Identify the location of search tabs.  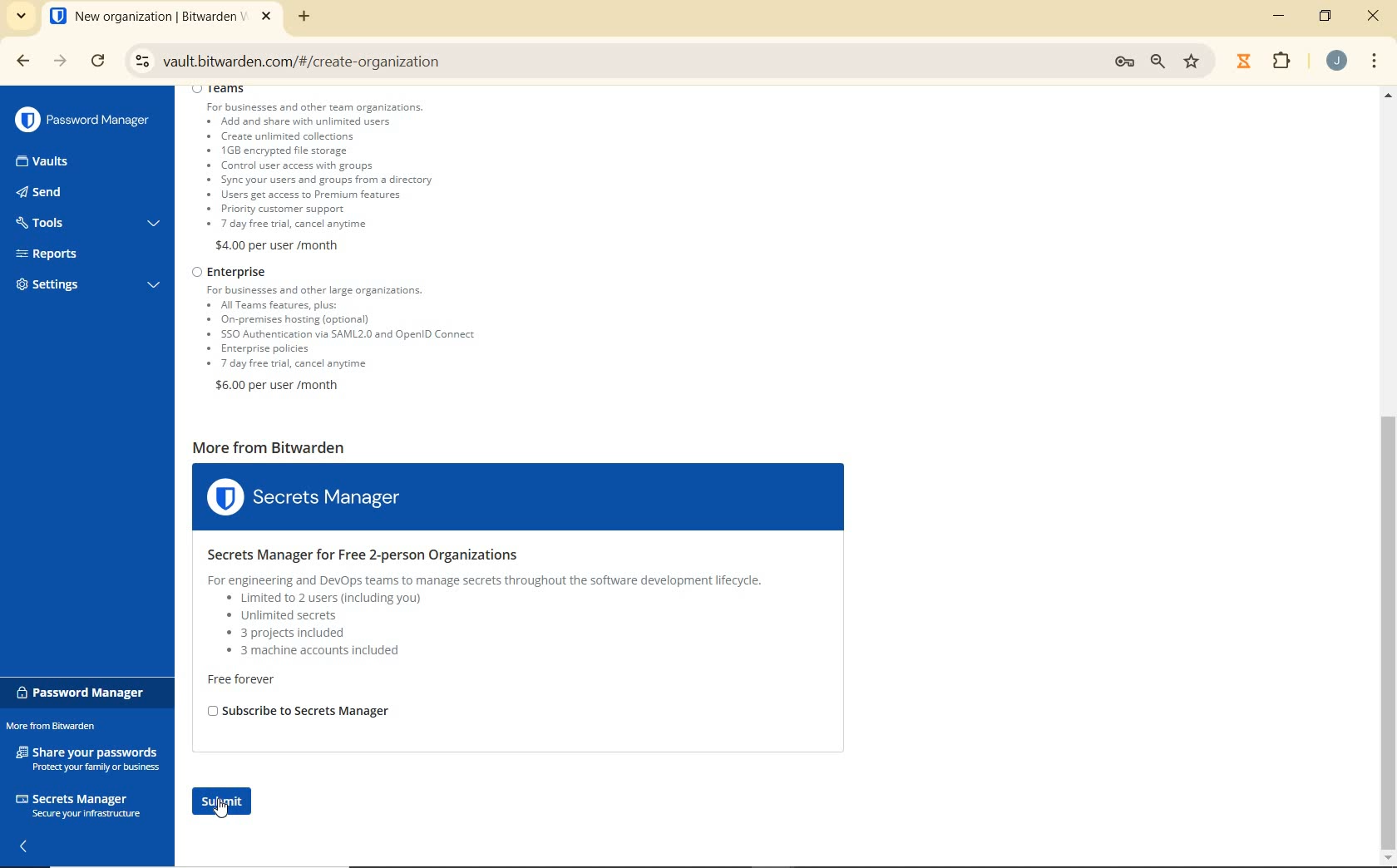
(21, 17).